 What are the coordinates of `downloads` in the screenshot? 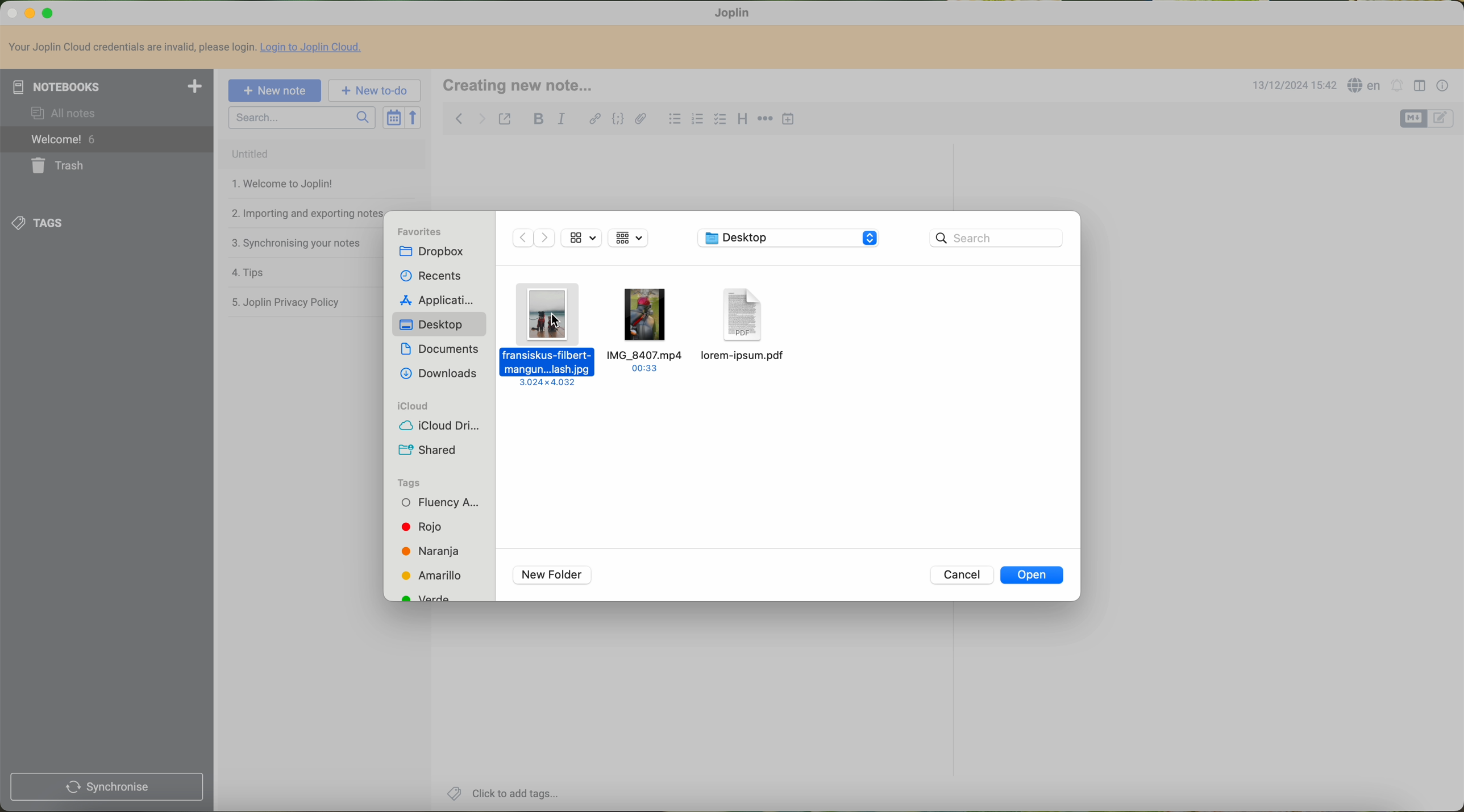 It's located at (440, 374).